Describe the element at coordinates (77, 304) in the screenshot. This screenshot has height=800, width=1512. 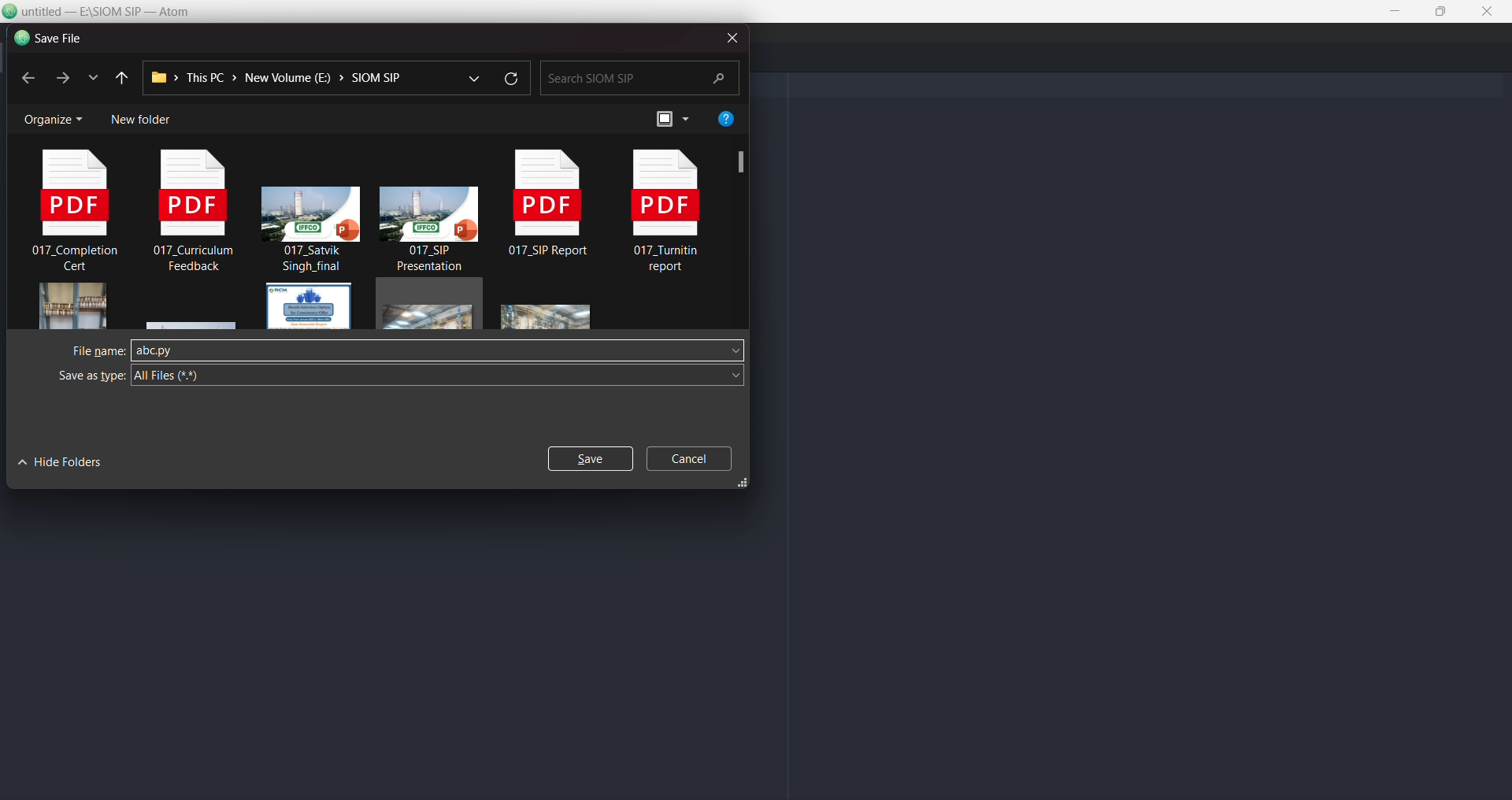
I see `image` at that location.